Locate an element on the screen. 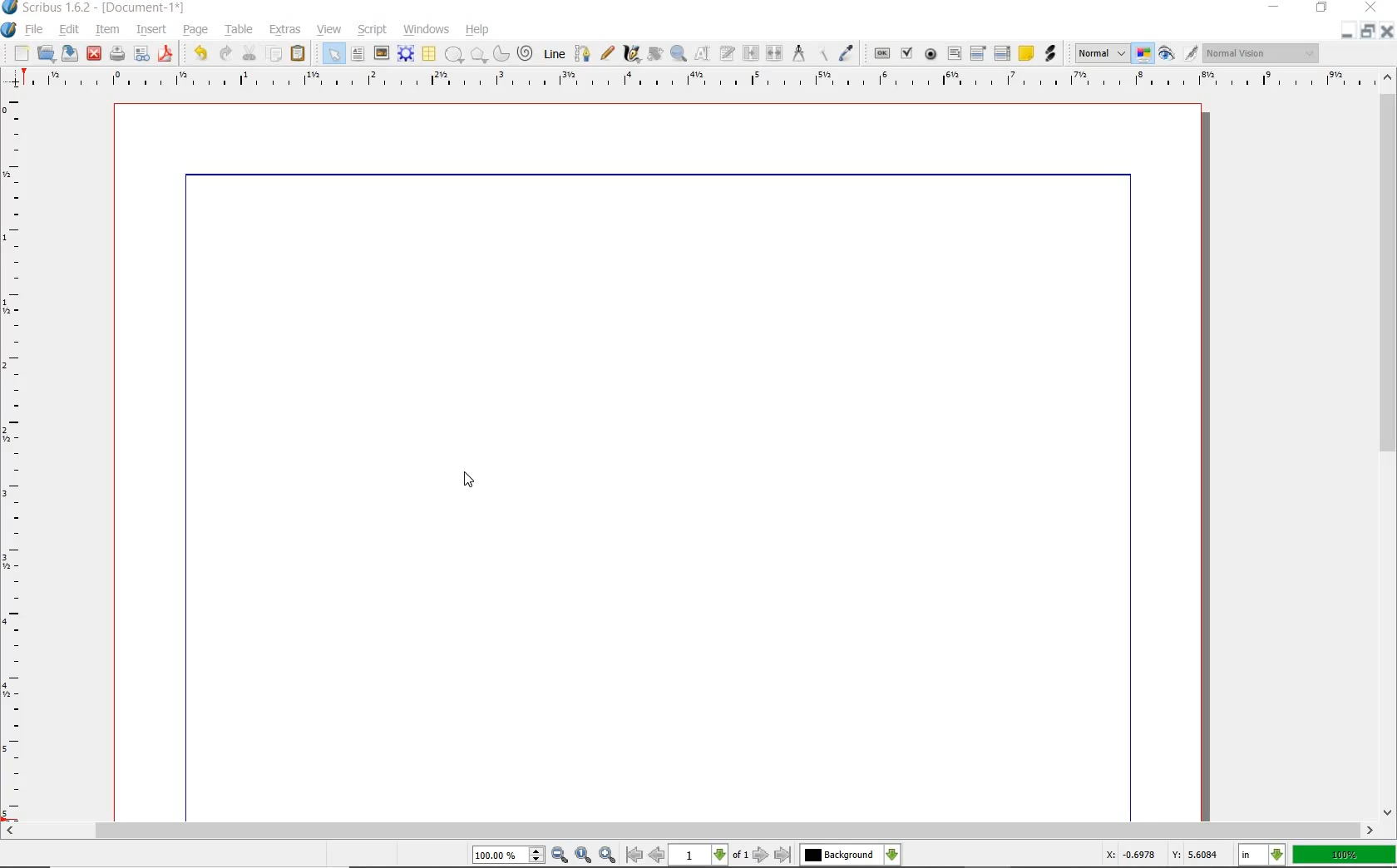  BEZIER CURVE is located at coordinates (583, 53).